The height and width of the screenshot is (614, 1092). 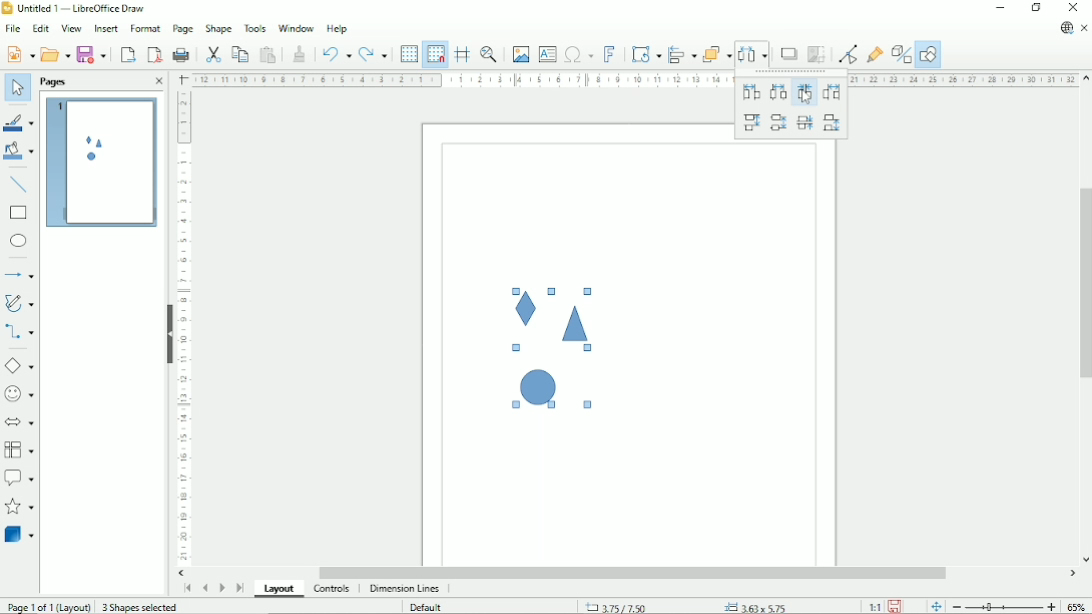 I want to click on Copy, so click(x=239, y=53).